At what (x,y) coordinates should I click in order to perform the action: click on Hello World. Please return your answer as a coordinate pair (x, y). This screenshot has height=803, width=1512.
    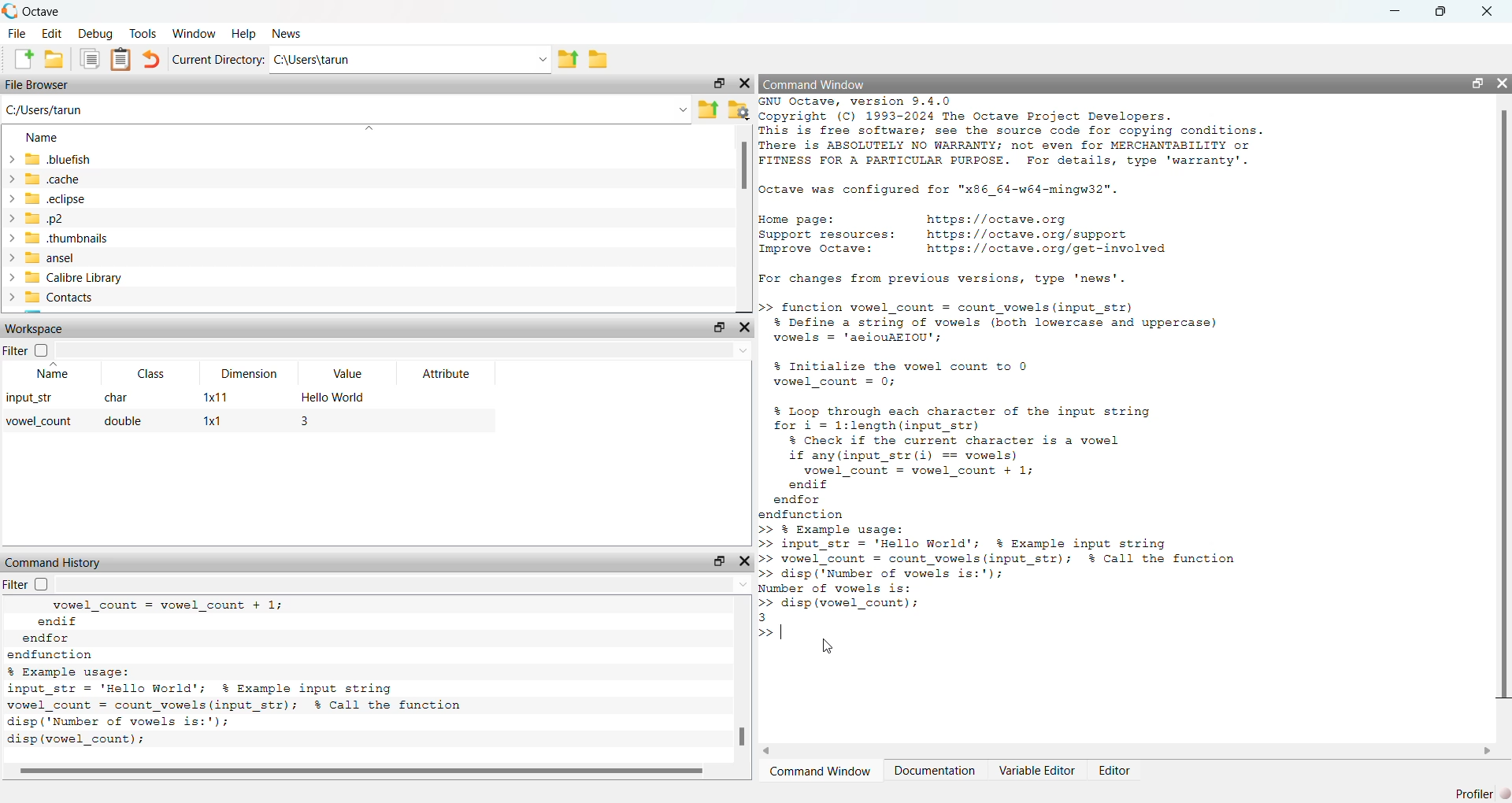
    Looking at the image, I should click on (336, 397).